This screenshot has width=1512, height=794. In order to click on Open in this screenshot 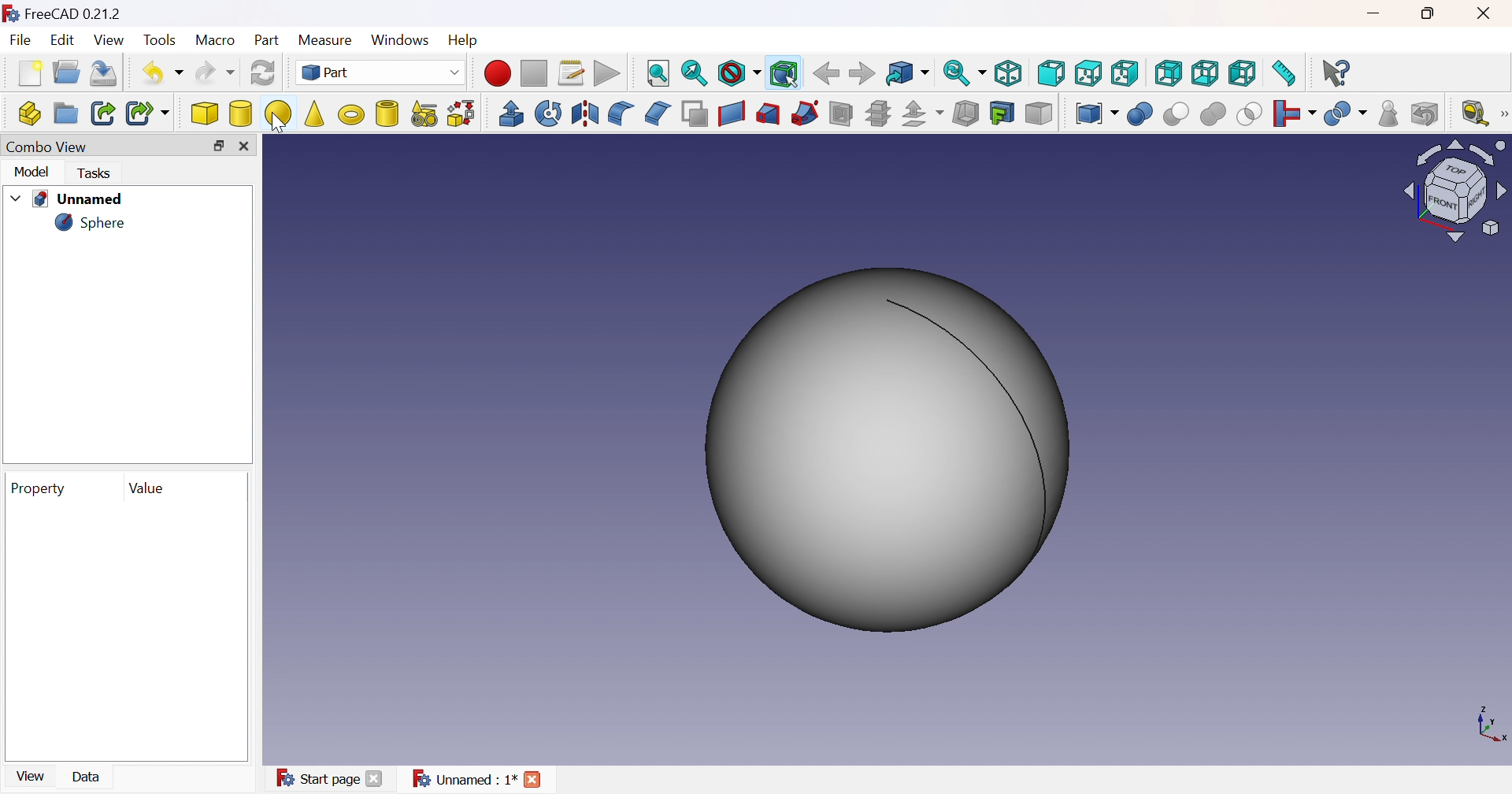, I will do `click(66, 70)`.